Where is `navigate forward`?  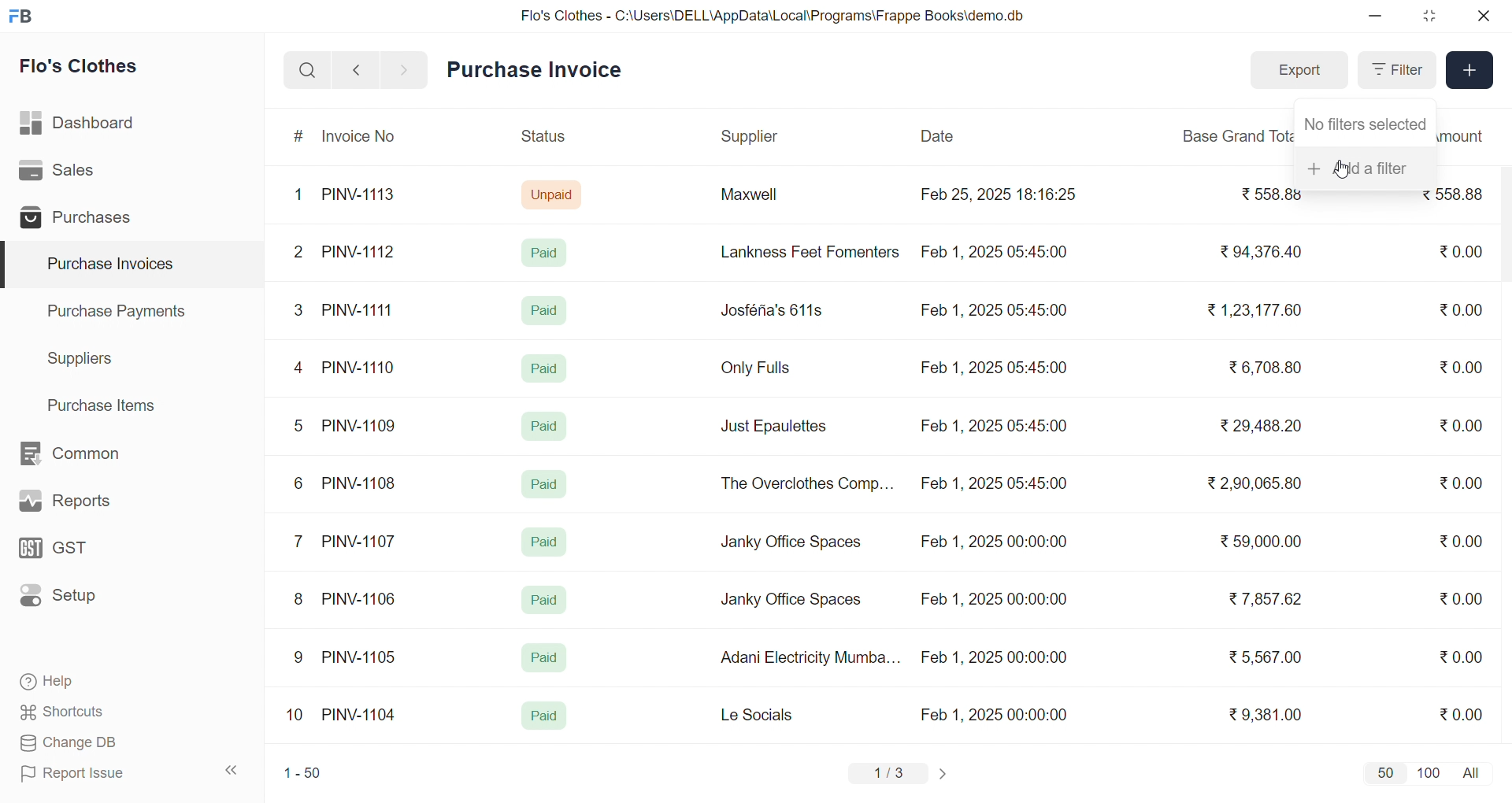 navigate forward is located at coordinates (406, 68).